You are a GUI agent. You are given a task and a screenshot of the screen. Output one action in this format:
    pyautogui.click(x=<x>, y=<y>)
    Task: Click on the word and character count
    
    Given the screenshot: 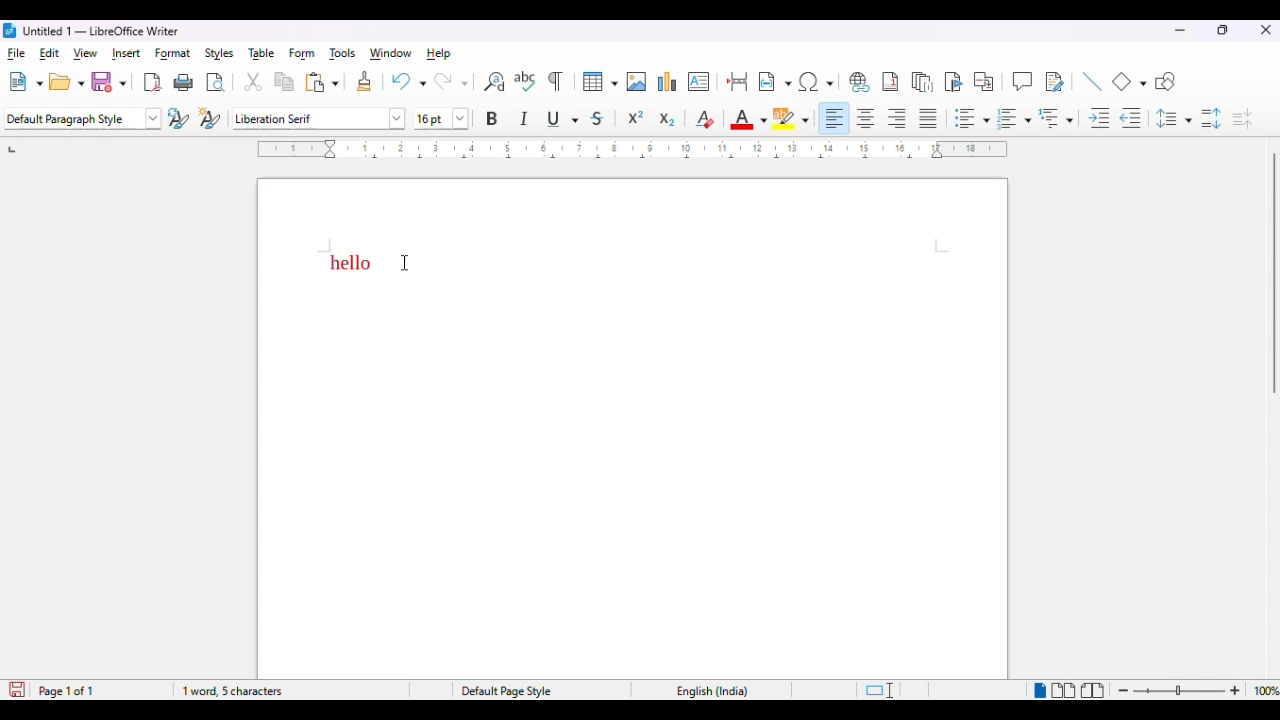 What is the action you would take?
    pyautogui.click(x=286, y=691)
    